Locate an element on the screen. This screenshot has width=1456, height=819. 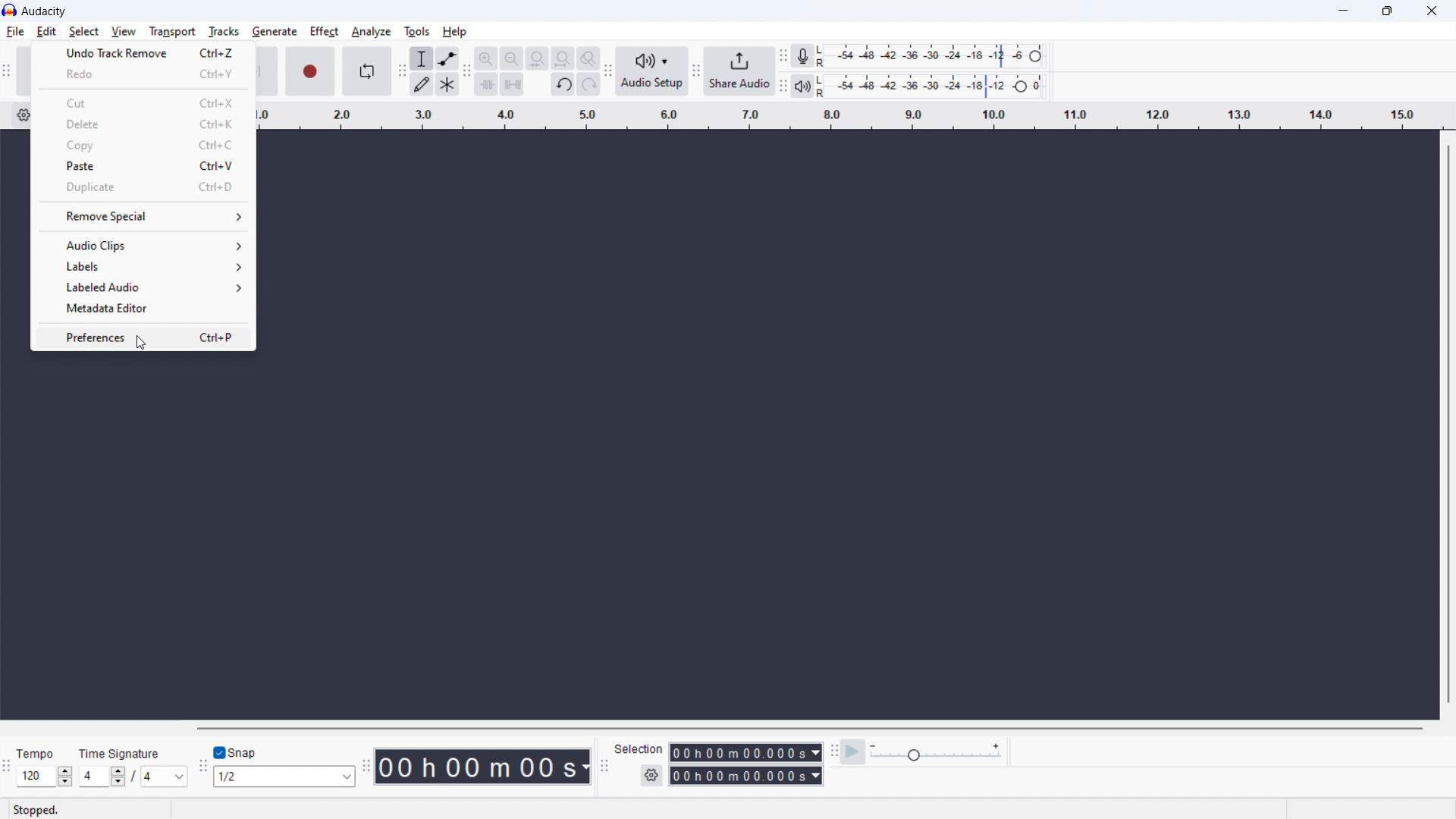
Space for navigating recorded track/s is located at coordinates (849, 426).